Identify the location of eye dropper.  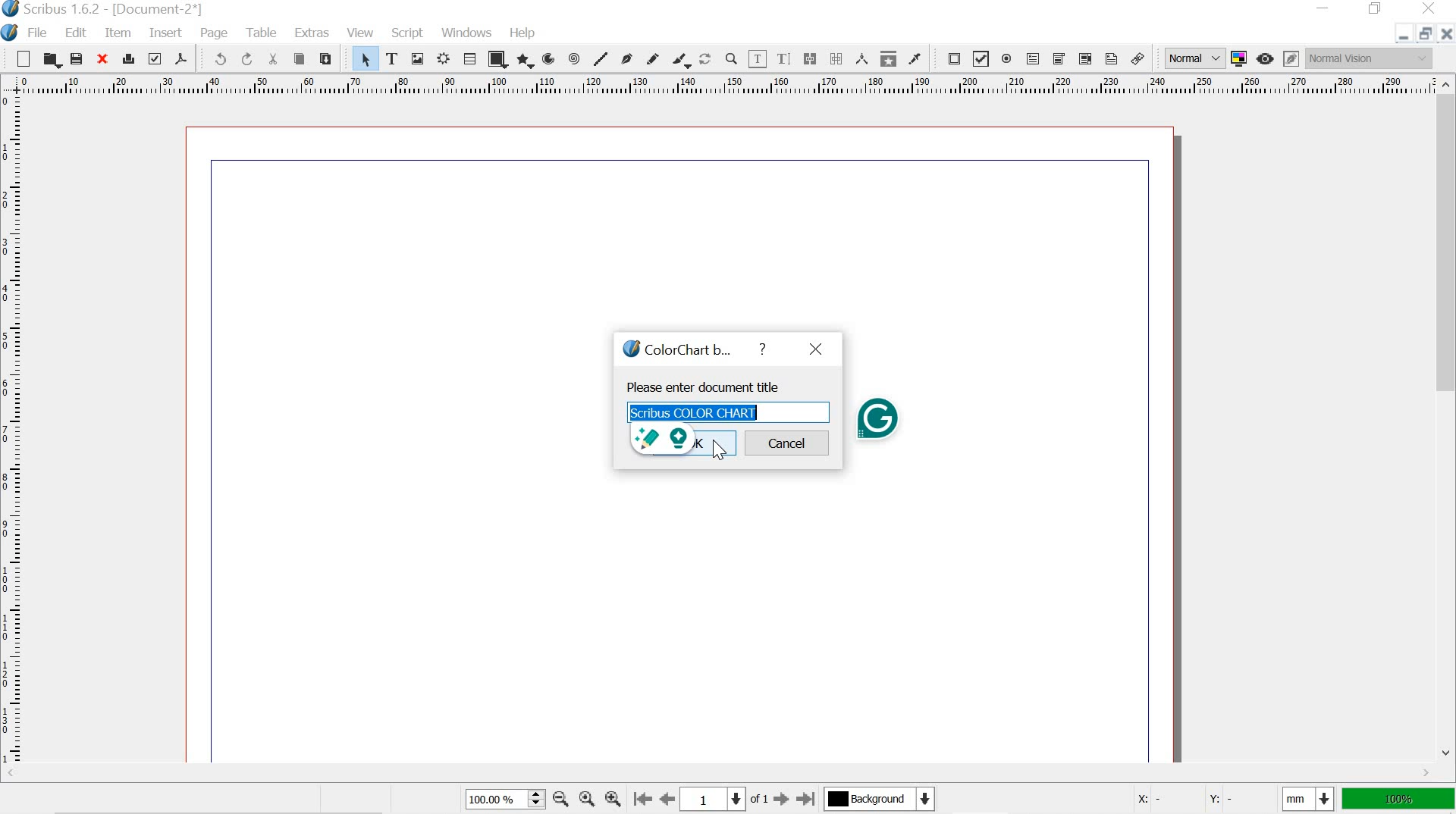
(915, 59).